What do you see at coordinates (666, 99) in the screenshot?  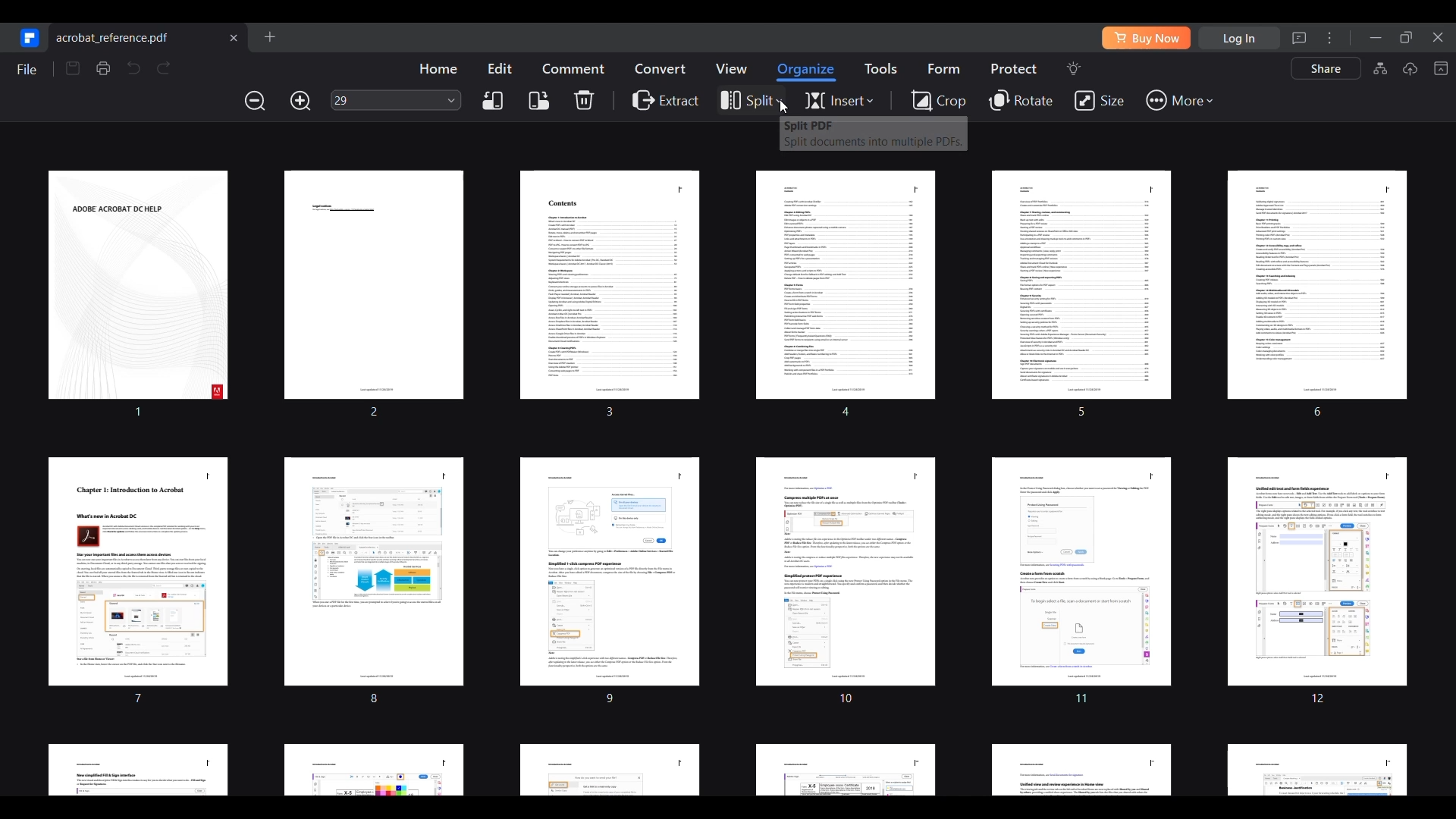 I see `Extract PDF` at bounding box center [666, 99].